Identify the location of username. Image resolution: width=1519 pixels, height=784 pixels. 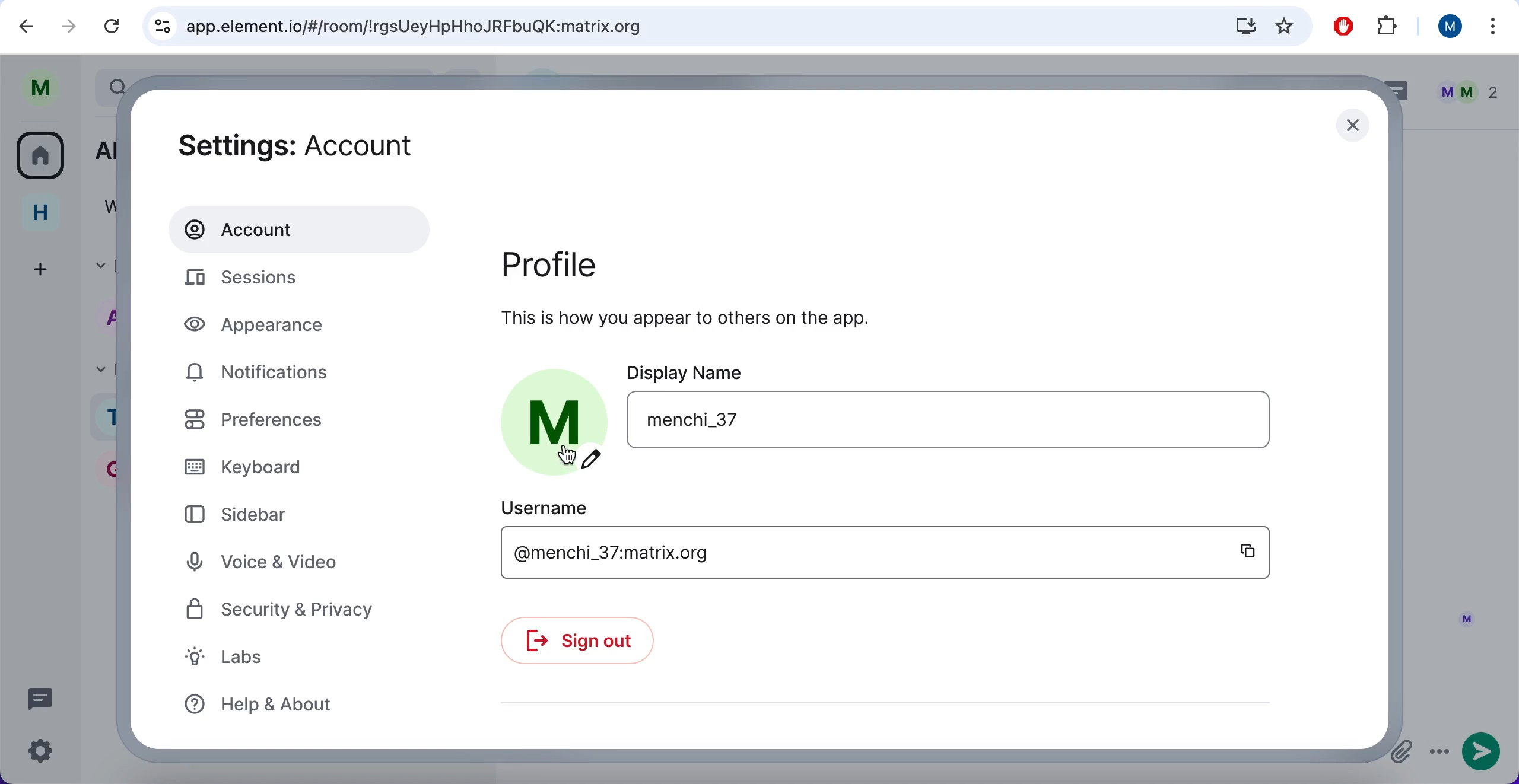
(585, 508).